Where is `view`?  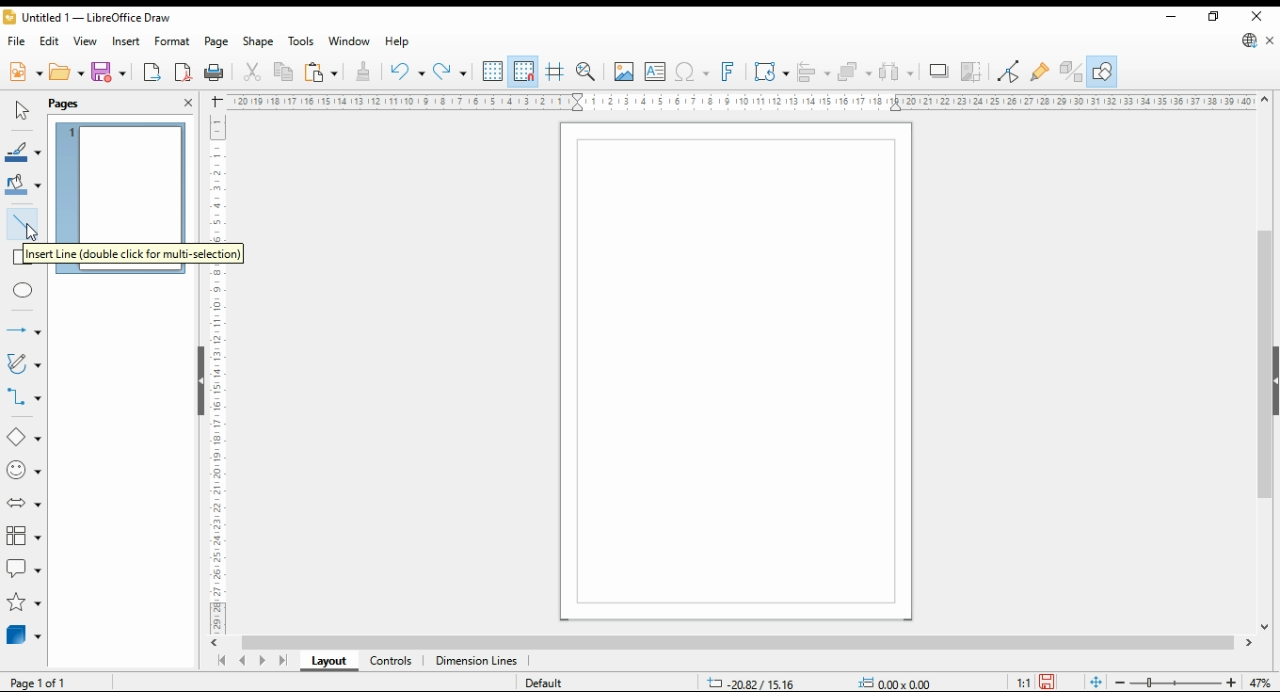 view is located at coordinates (86, 42).